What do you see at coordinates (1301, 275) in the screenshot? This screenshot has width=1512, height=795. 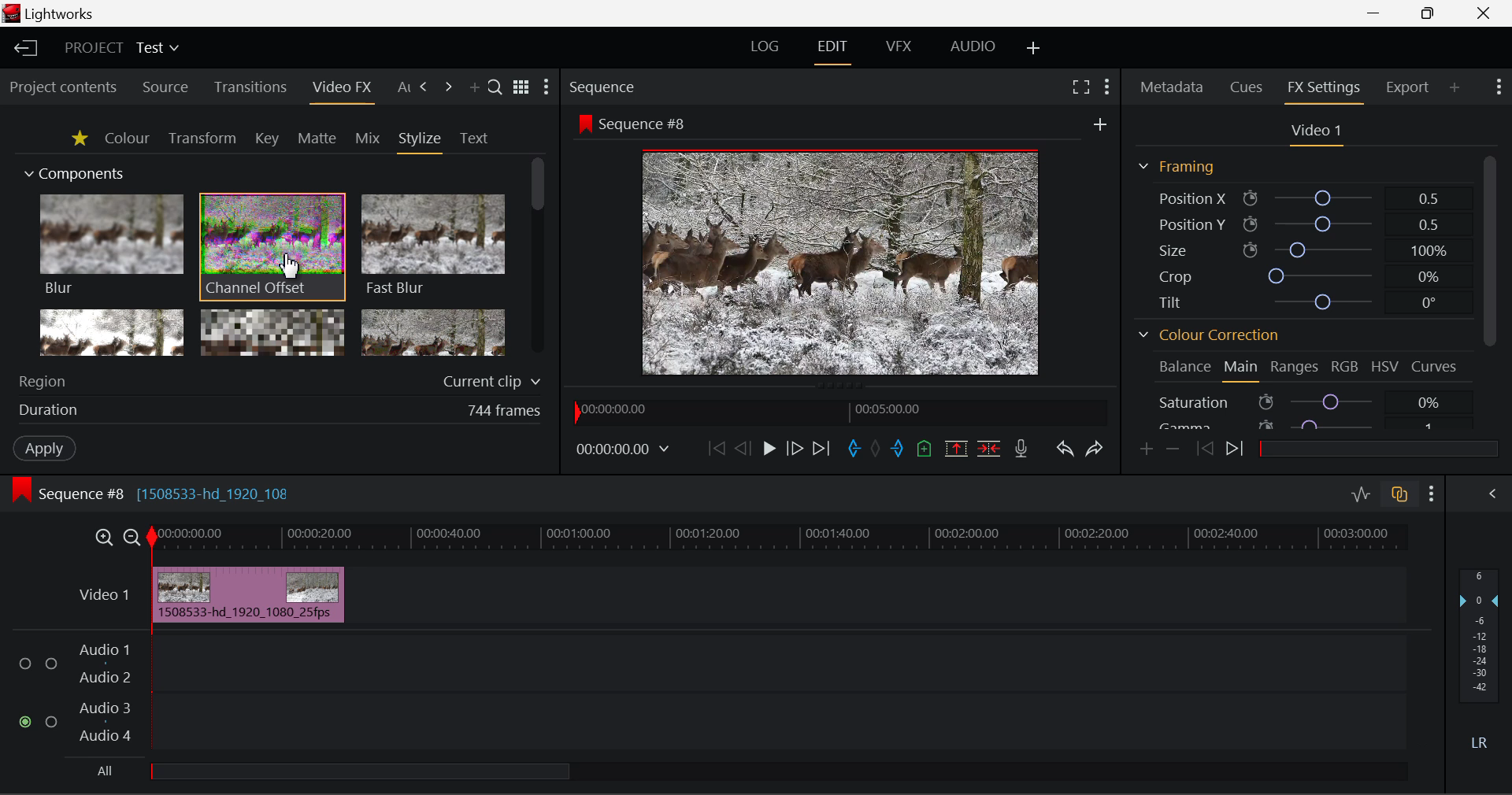 I see `Crop` at bounding box center [1301, 275].